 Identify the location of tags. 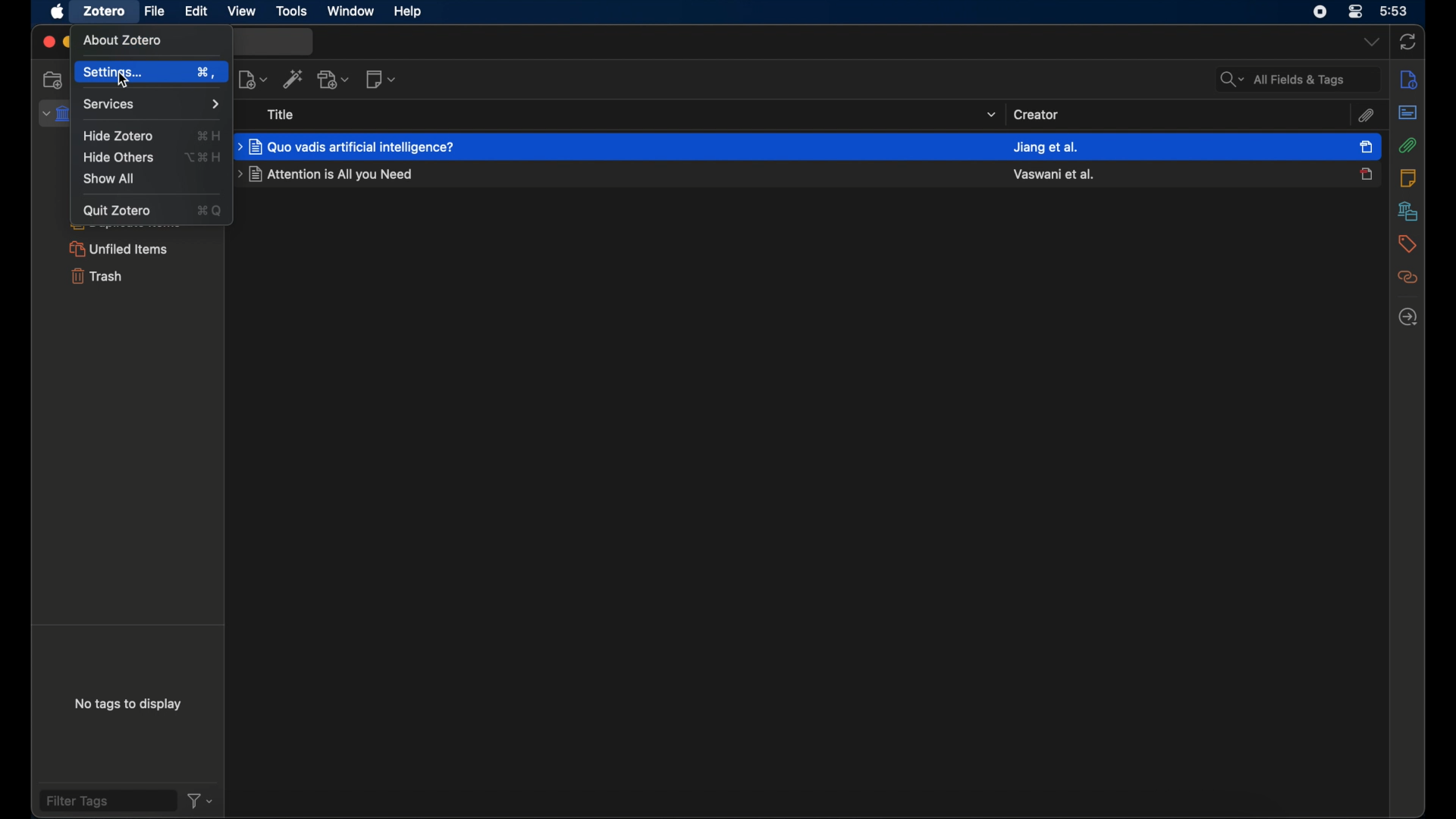
(1406, 244).